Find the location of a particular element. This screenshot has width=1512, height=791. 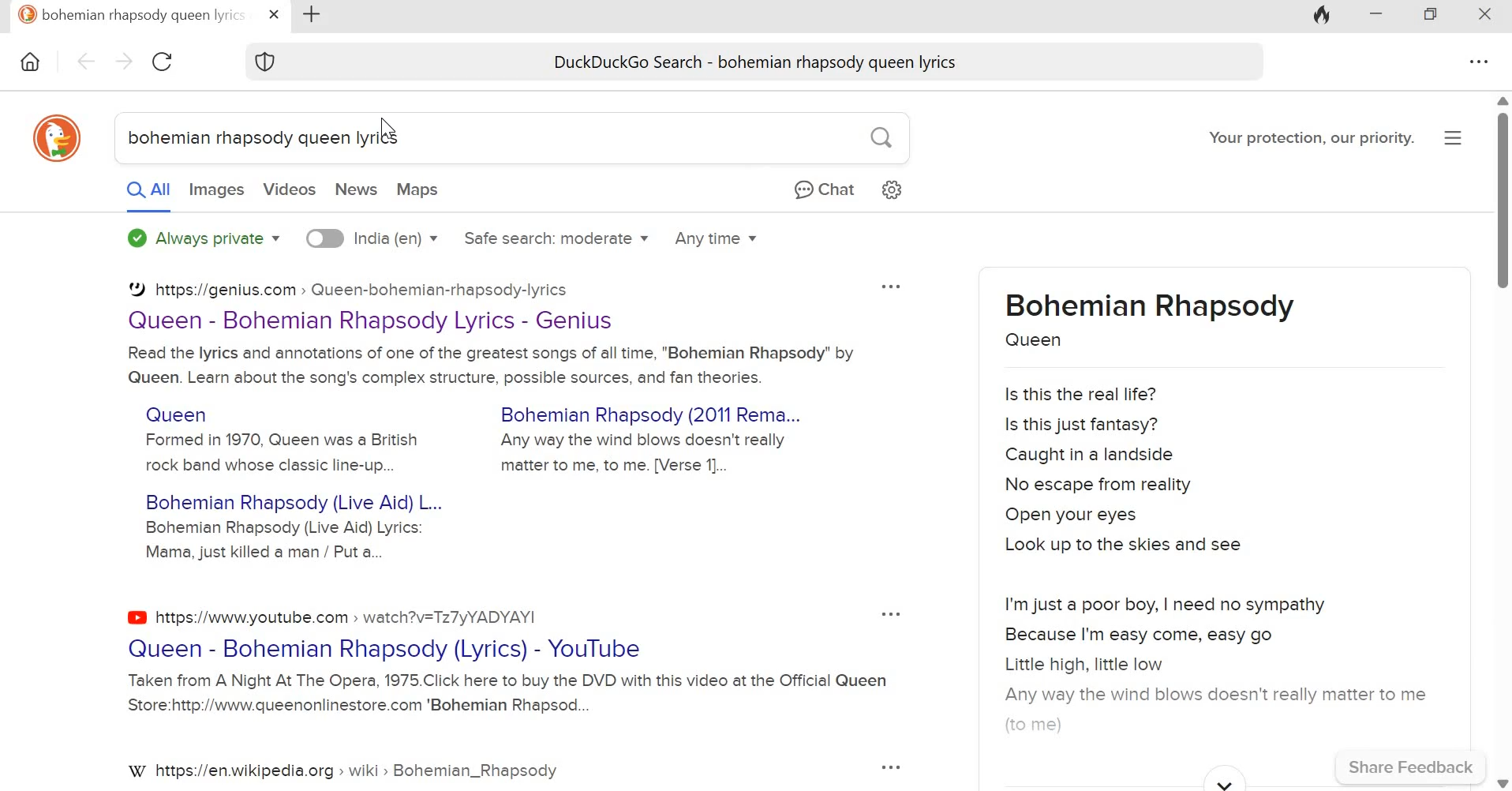

https://en.wikipedia.org > wiki > Bohemian_Rhapsody is located at coordinates (342, 770).